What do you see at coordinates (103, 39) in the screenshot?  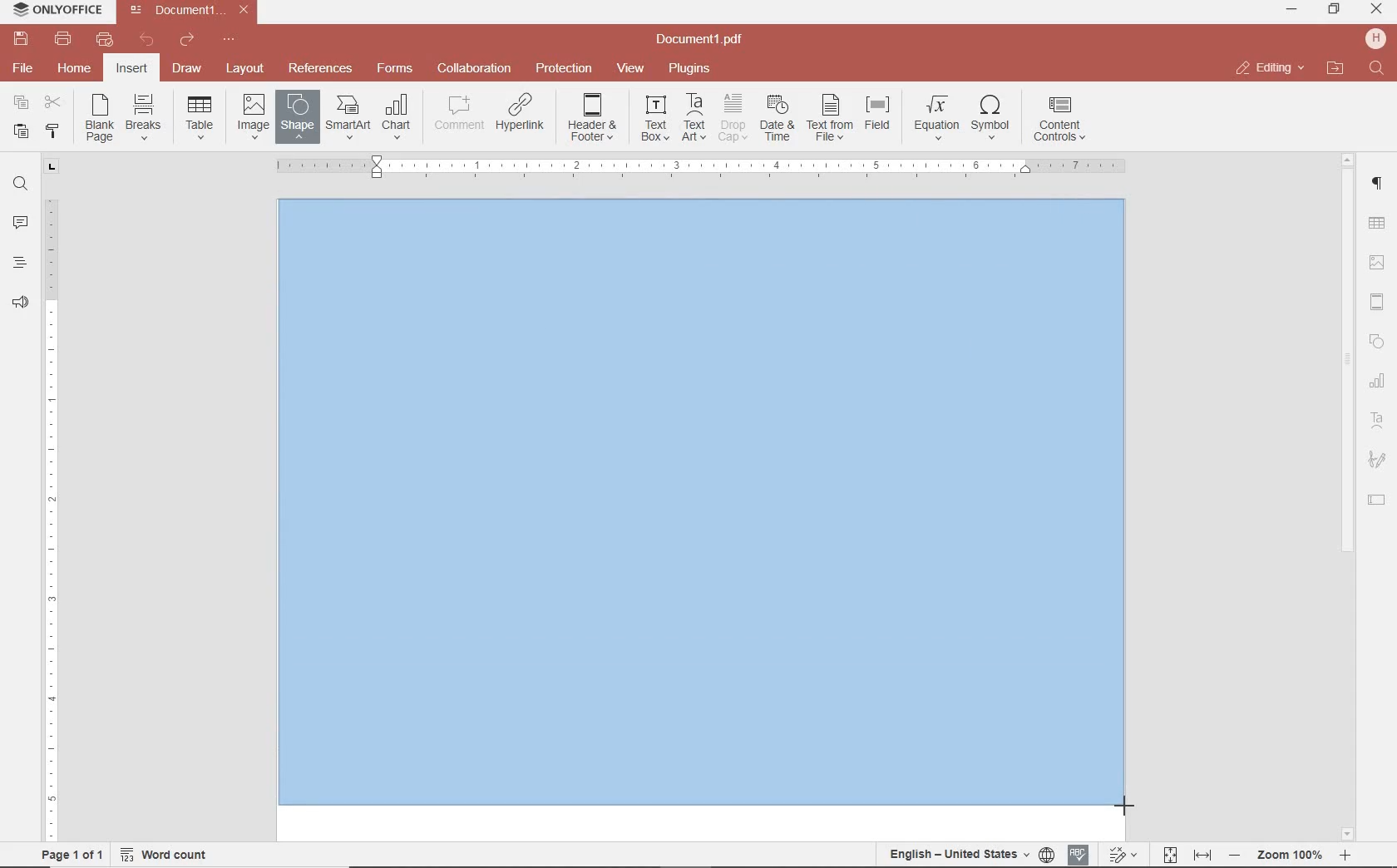 I see `quick print` at bounding box center [103, 39].